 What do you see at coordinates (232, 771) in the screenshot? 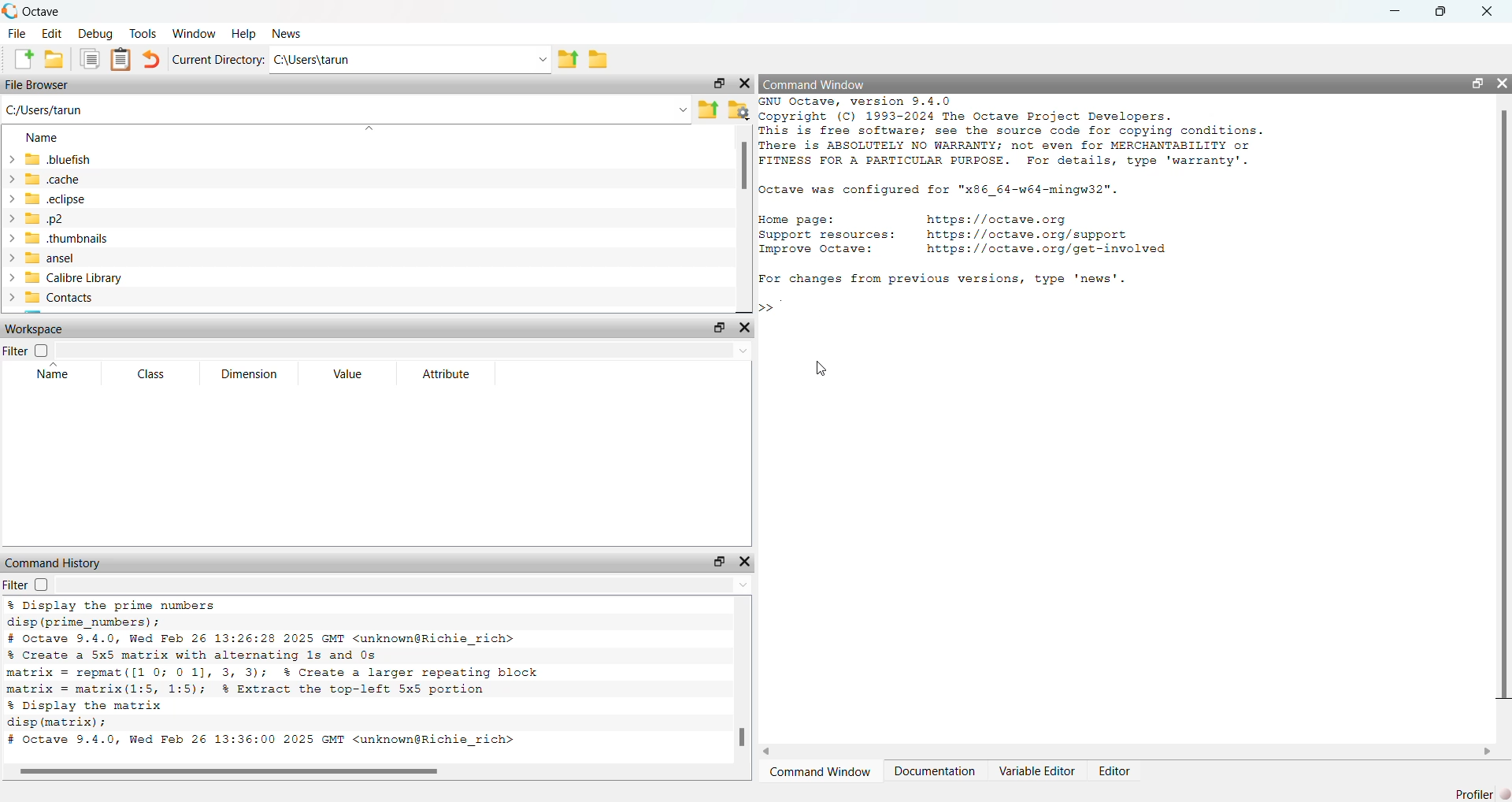
I see `scrollbar` at bounding box center [232, 771].